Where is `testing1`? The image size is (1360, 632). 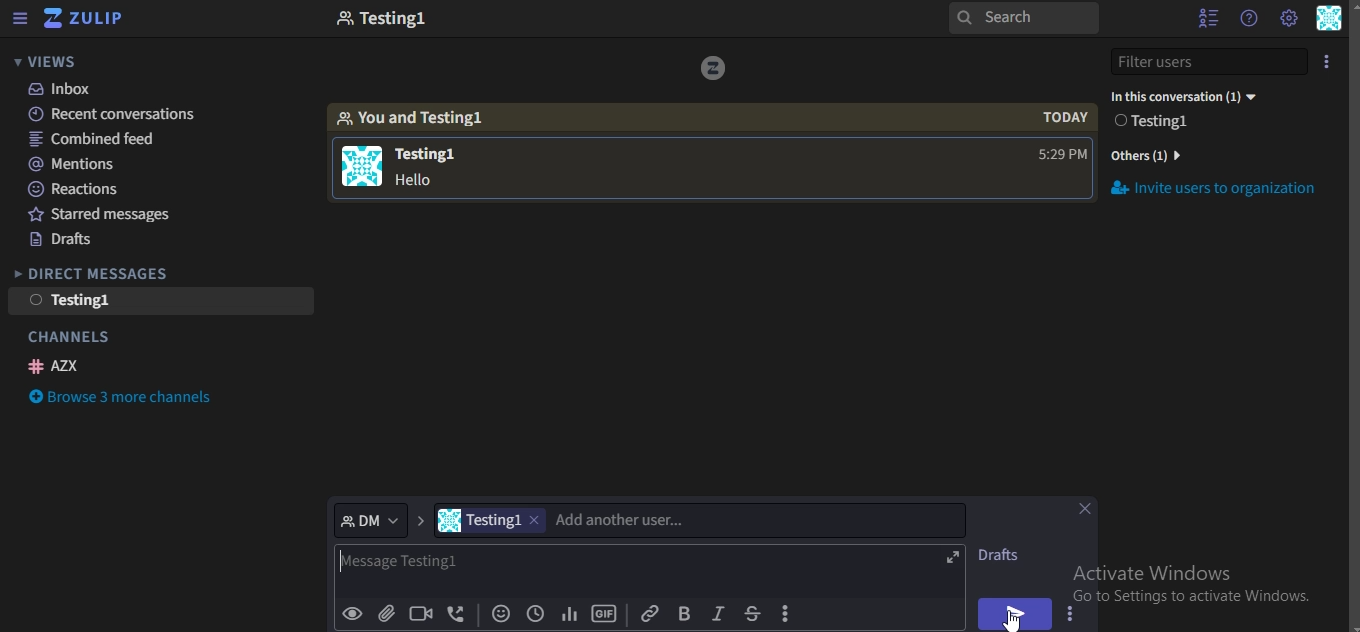
testing1 is located at coordinates (494, 520).